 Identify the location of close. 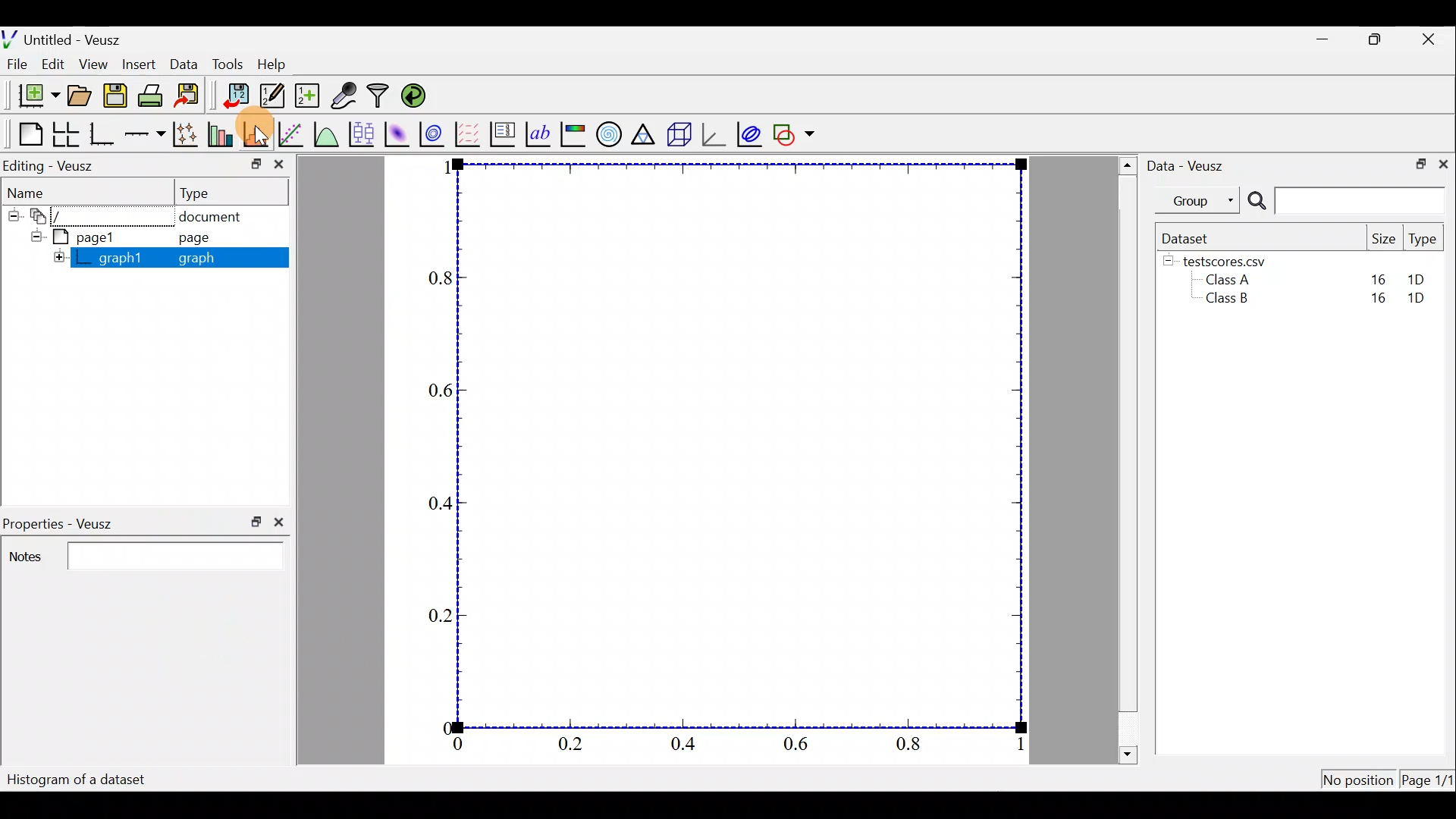
(281, 522).